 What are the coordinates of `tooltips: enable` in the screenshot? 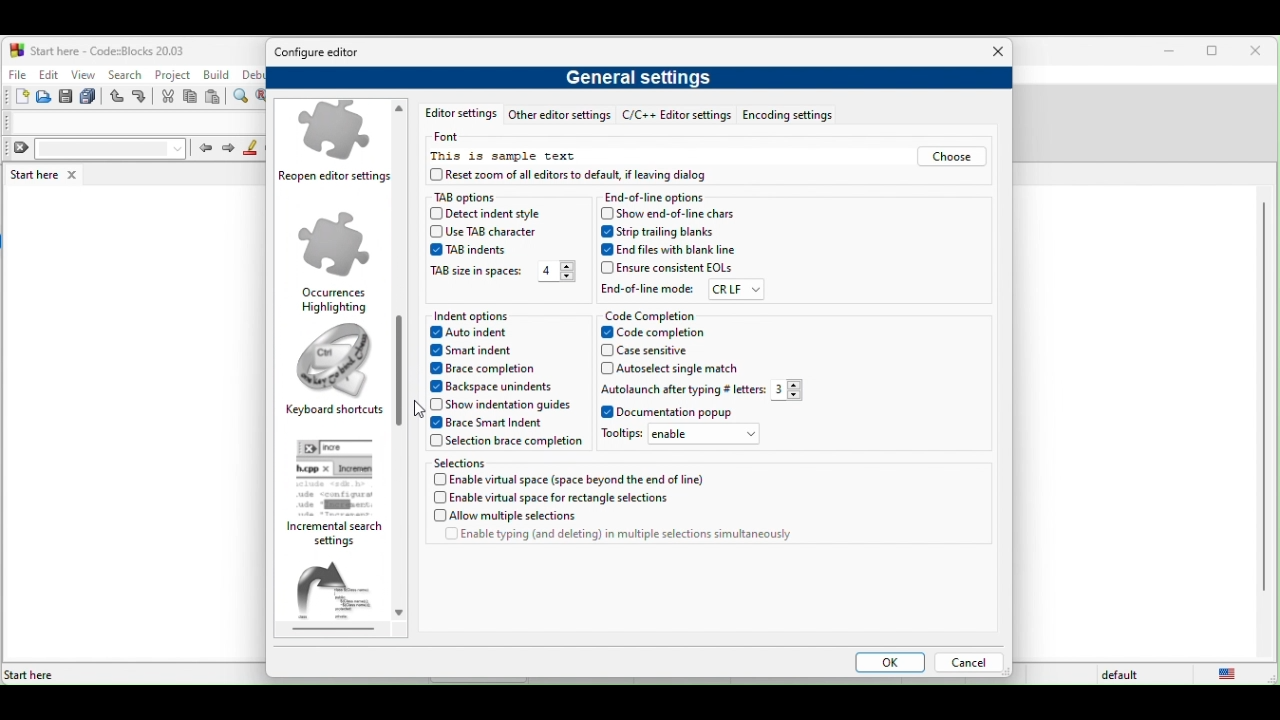 It's located at (686, 437).